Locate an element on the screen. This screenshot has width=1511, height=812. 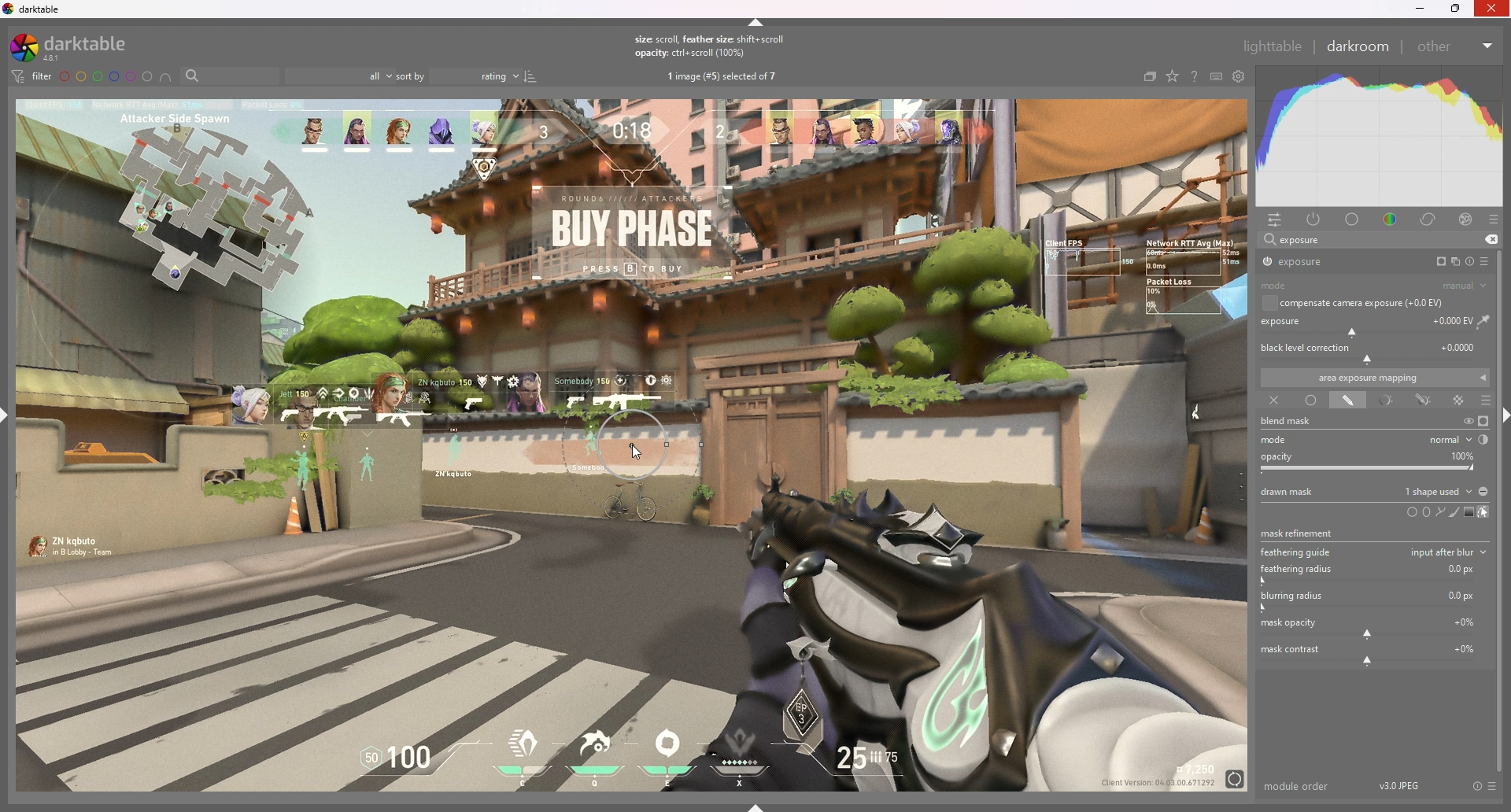
mask opacity is located at coordinates (1372, 627).